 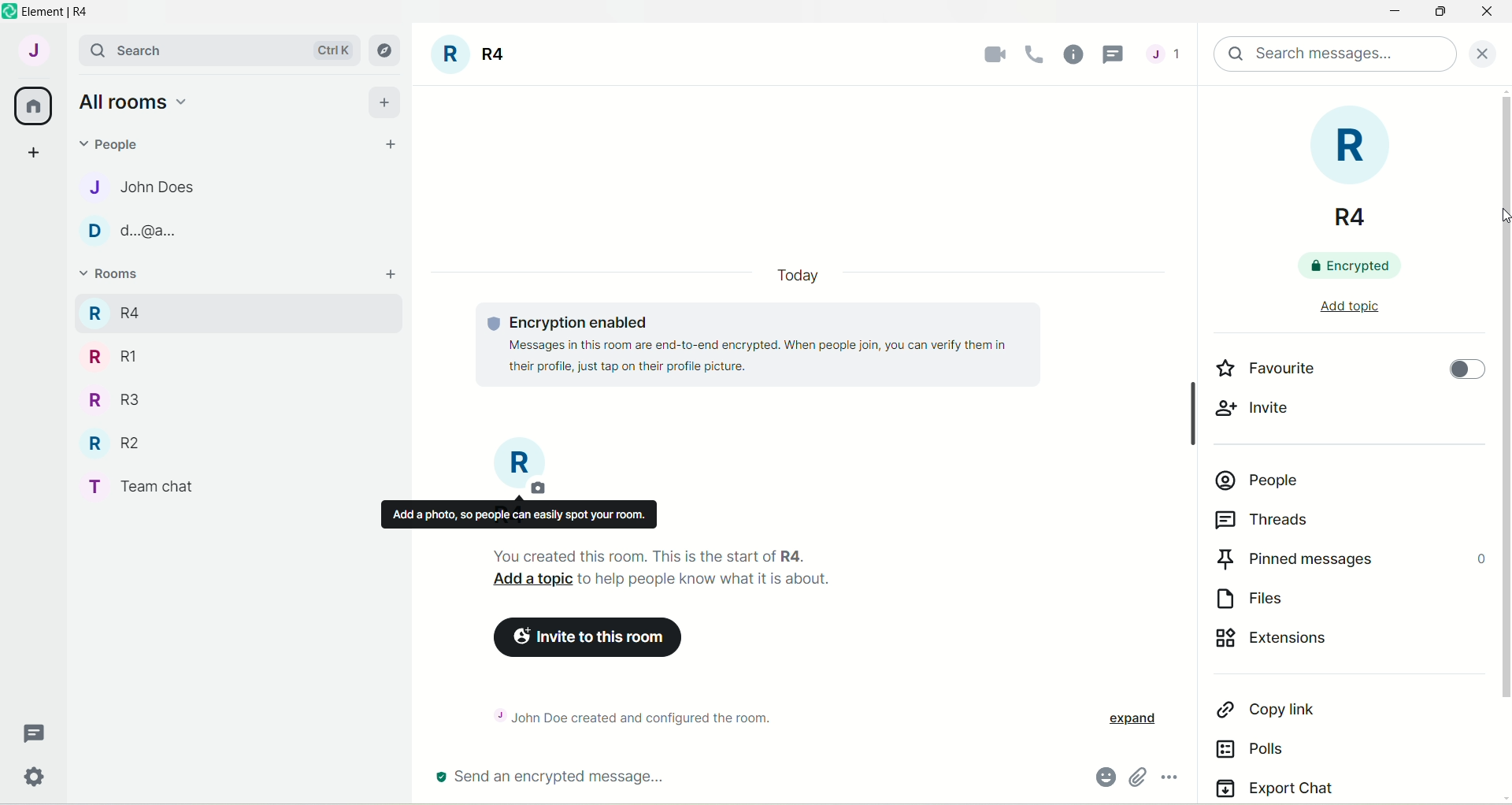 I want to click on attachments, so click(x=1136, y=778).